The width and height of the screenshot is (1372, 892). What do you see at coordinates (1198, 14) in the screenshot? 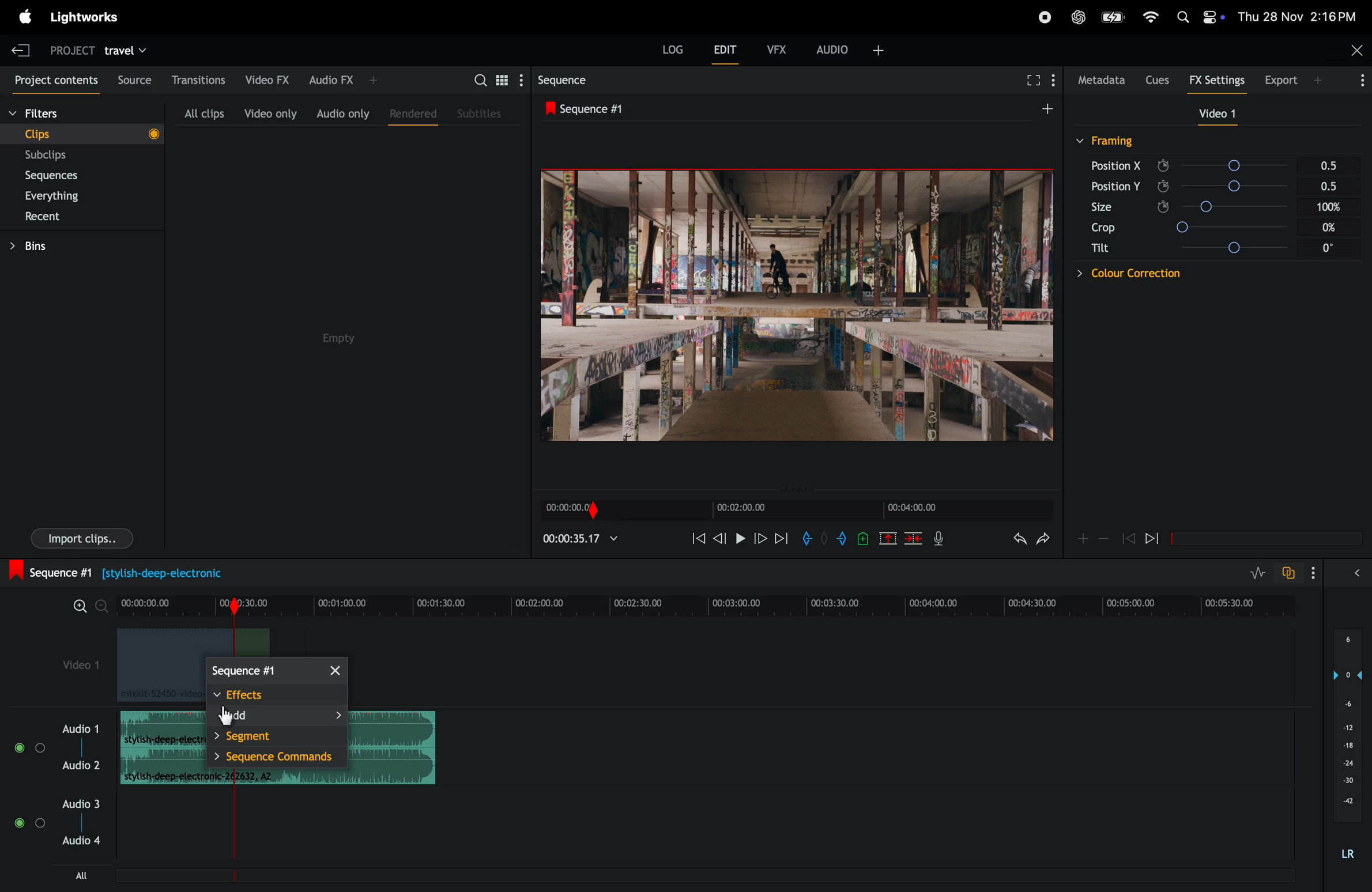
I see `apple widgets` at bounding box center [1198, 14].